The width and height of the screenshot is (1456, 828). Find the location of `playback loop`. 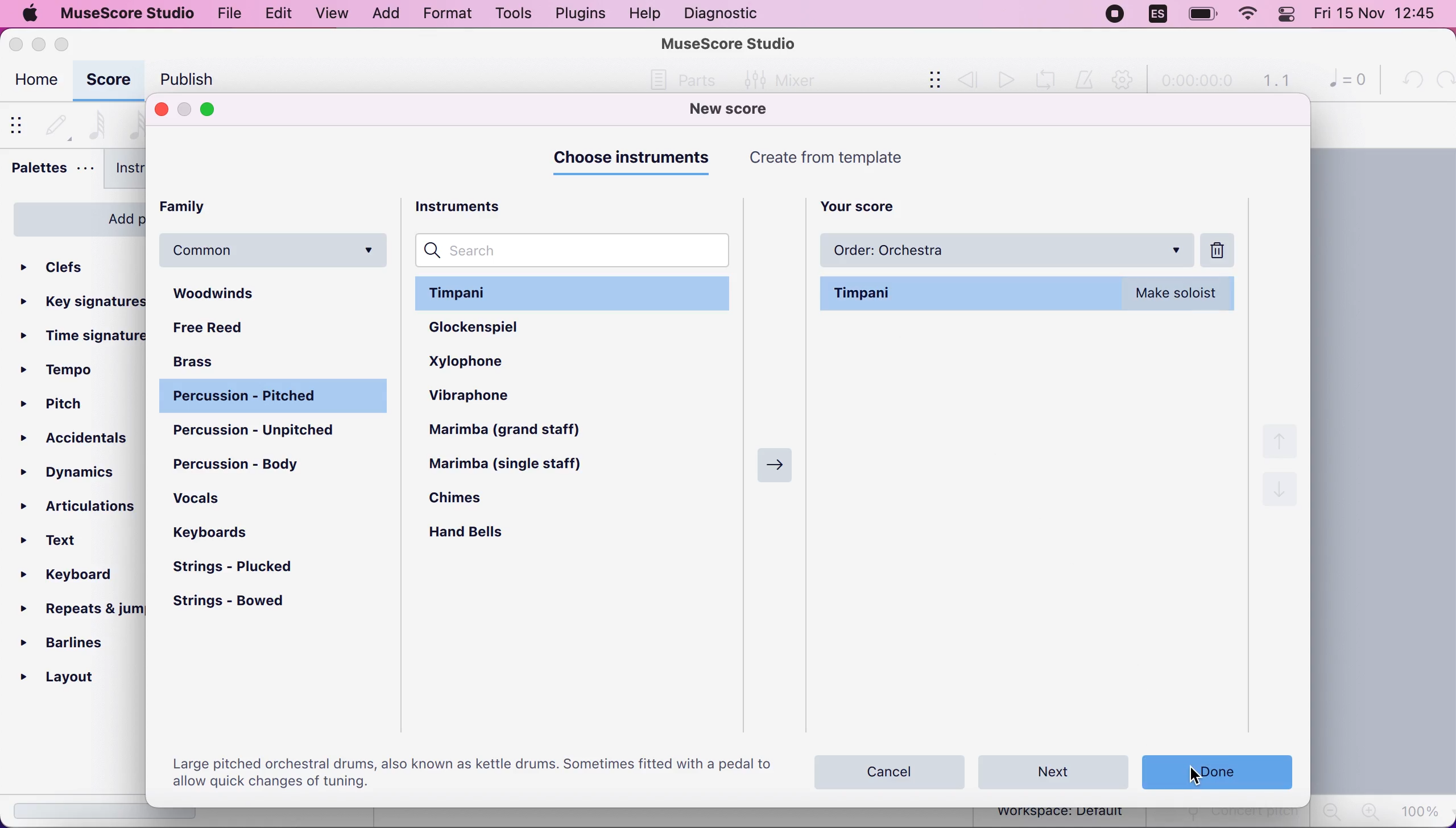

playback loop is located at coordinates (1049, 78).